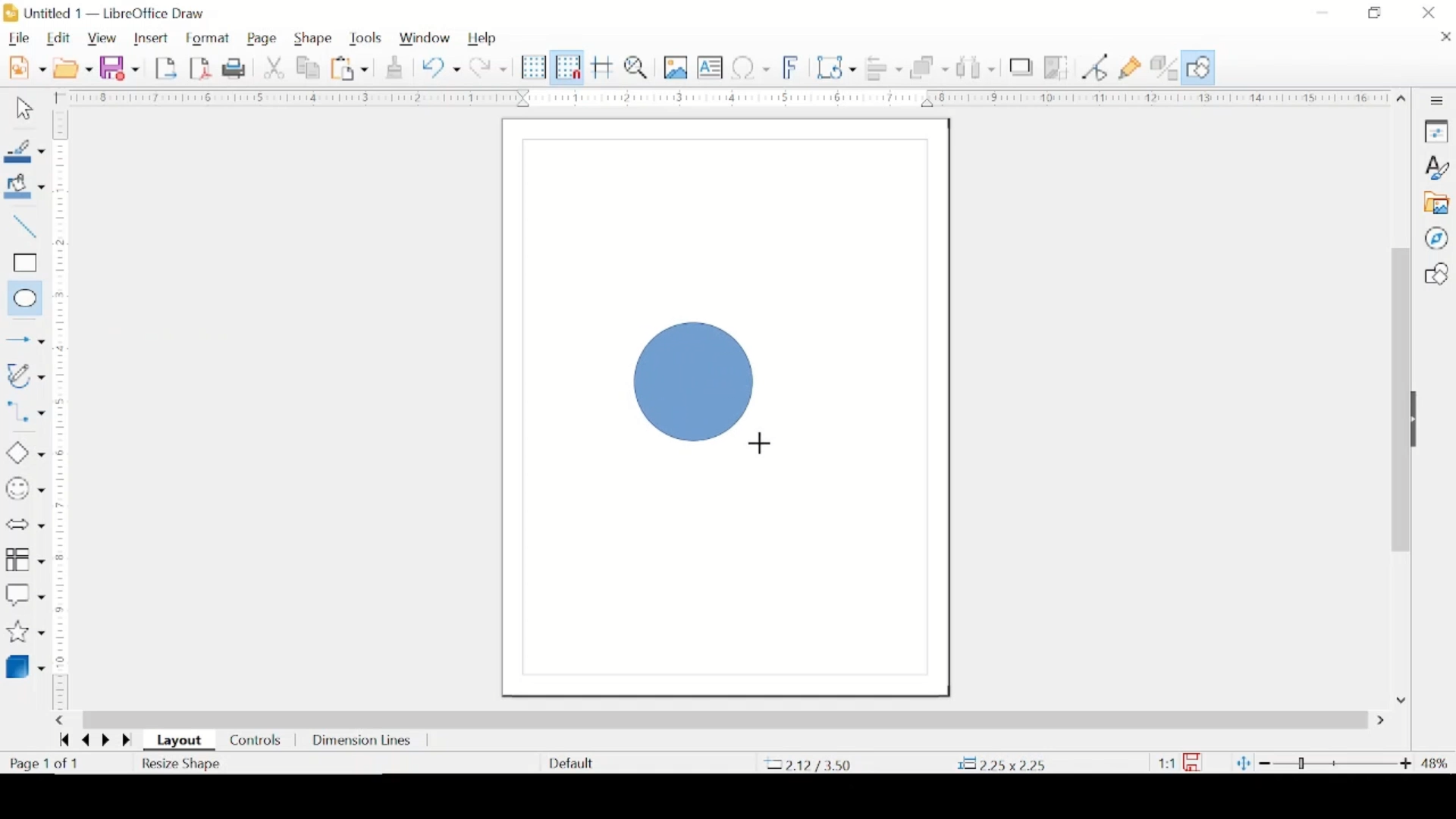 The width and height of the screenshot is (1456, 819). I want to click on properties, so click(1438, 132).